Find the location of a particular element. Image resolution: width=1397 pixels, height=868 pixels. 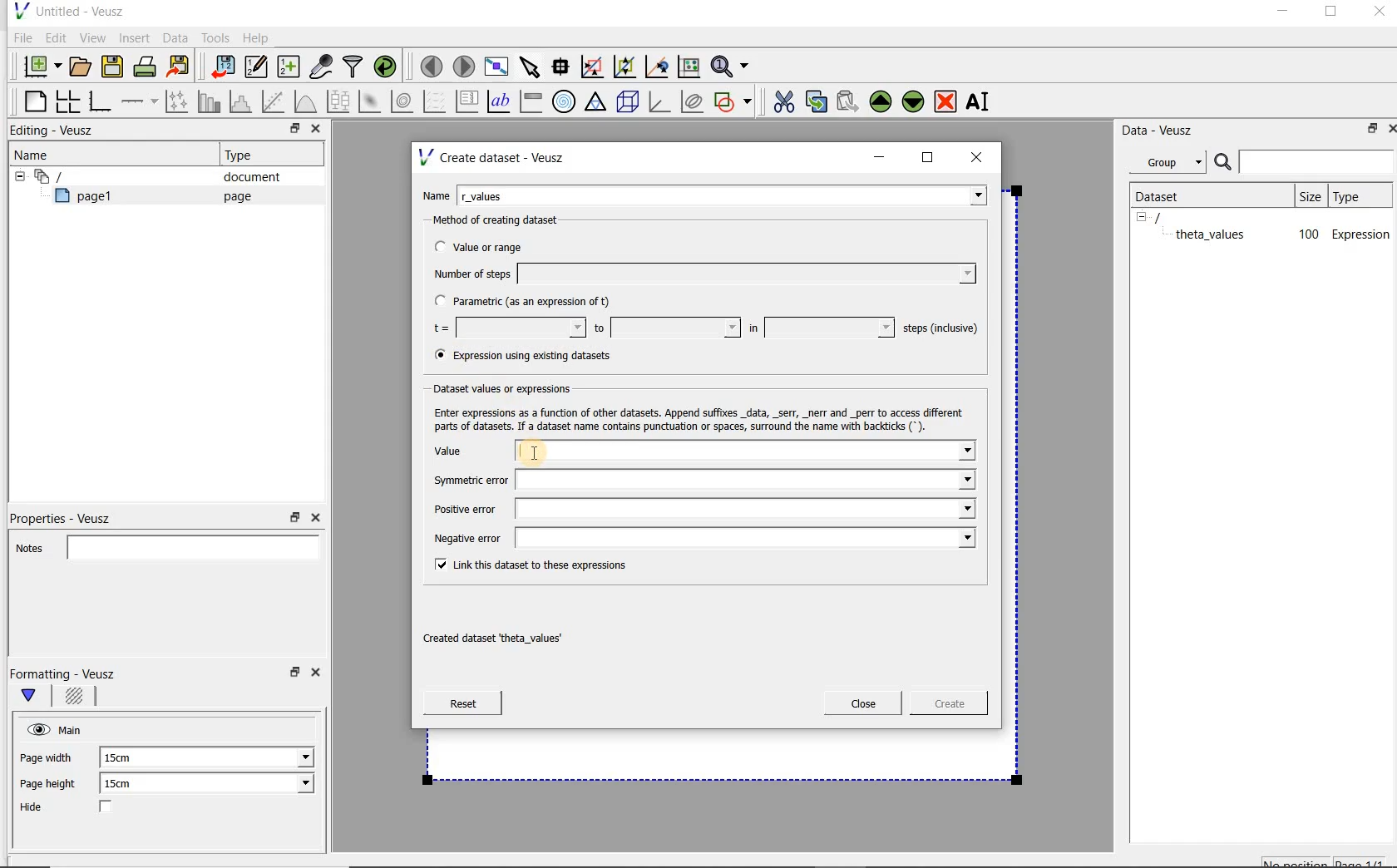

Editing - Veusz is located at coordinates (56, 131).